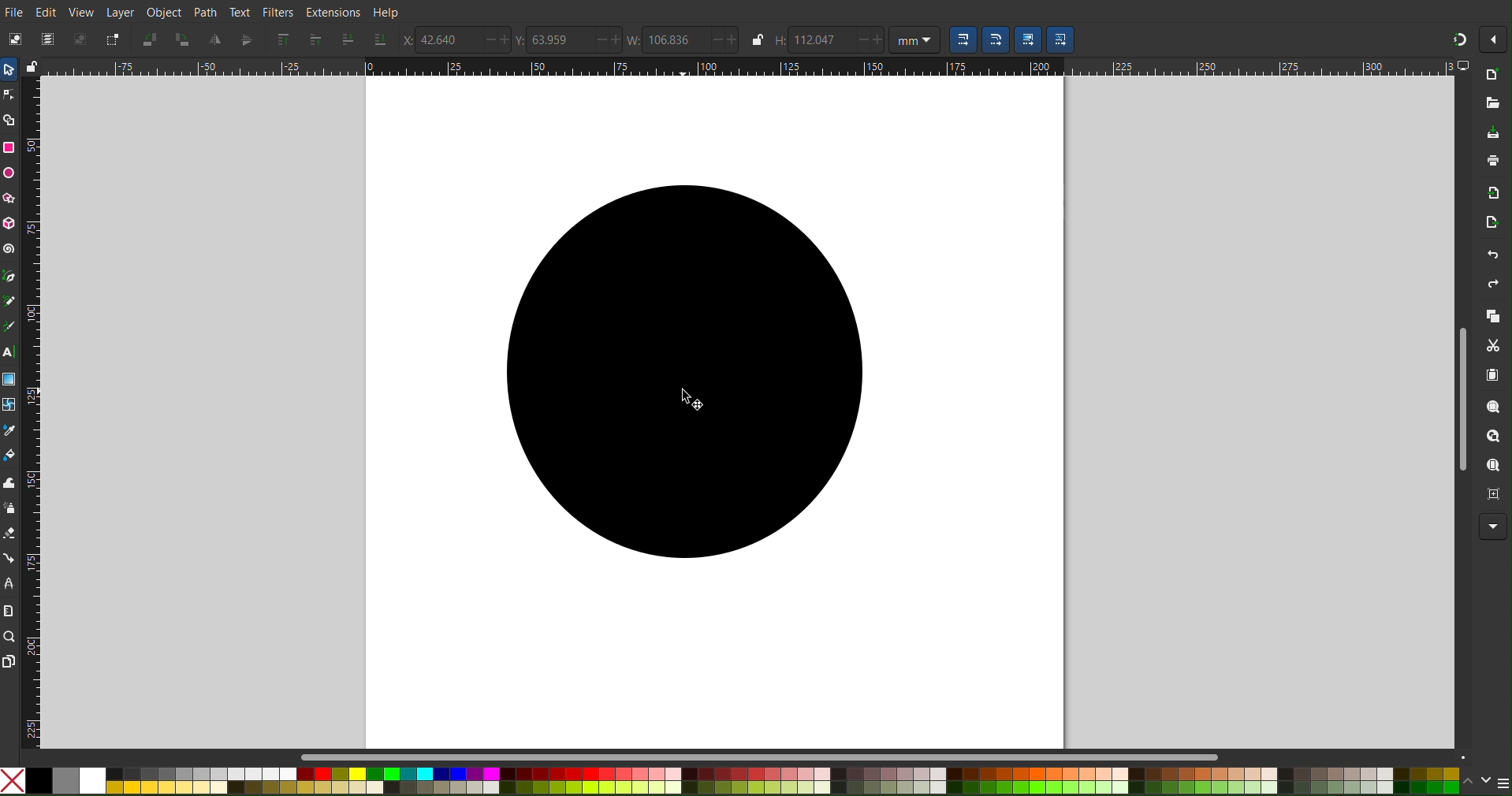 This screenshot has height=796, width=1512. Describe the element at coordinates (216, 39) in the screenshot. I see `Mirror Vertically` at that location.